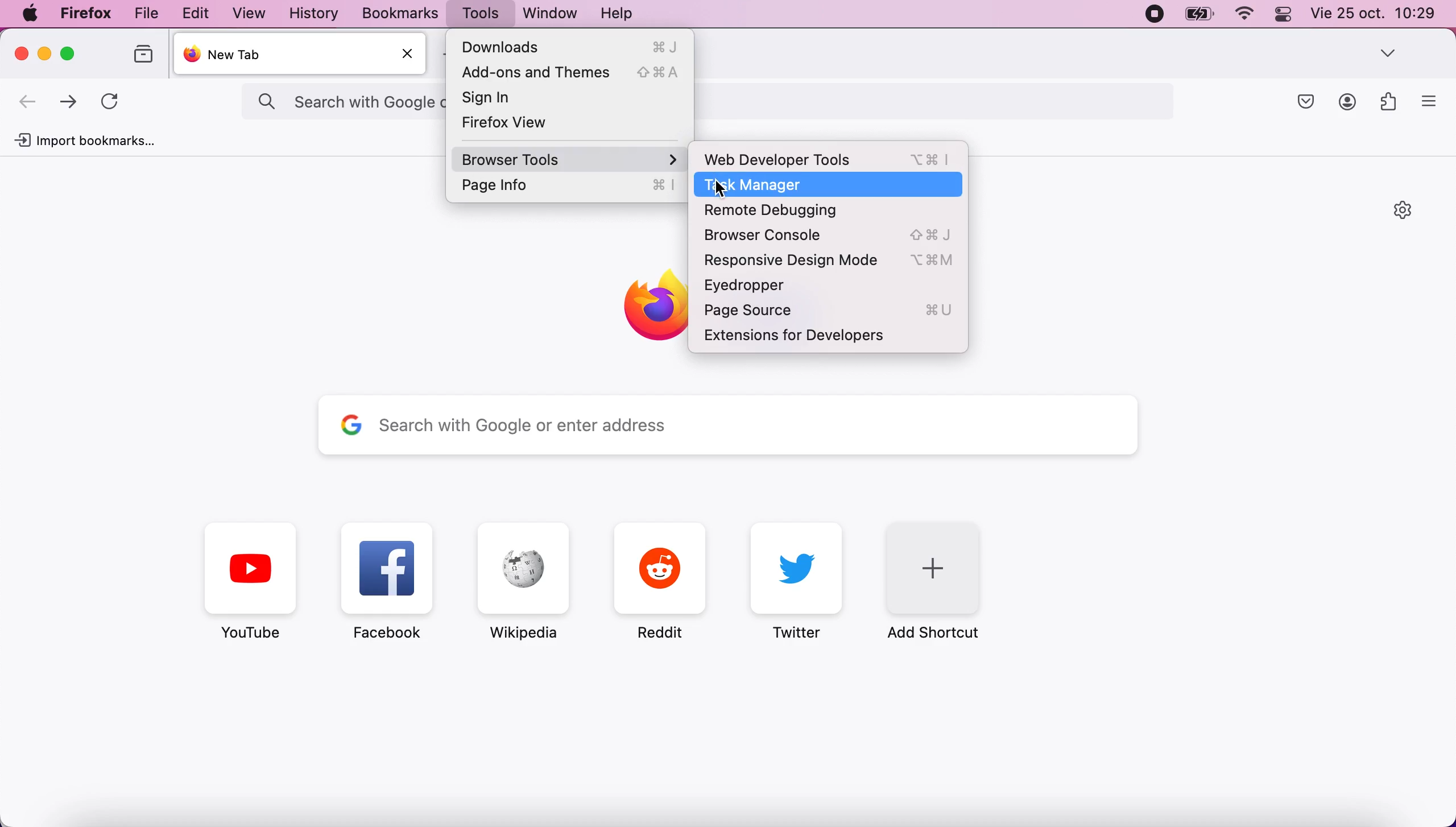 The image size is (1456, 827). Describe the element at coordinates (251, 13) in the screenshot. I see `View` at that location.